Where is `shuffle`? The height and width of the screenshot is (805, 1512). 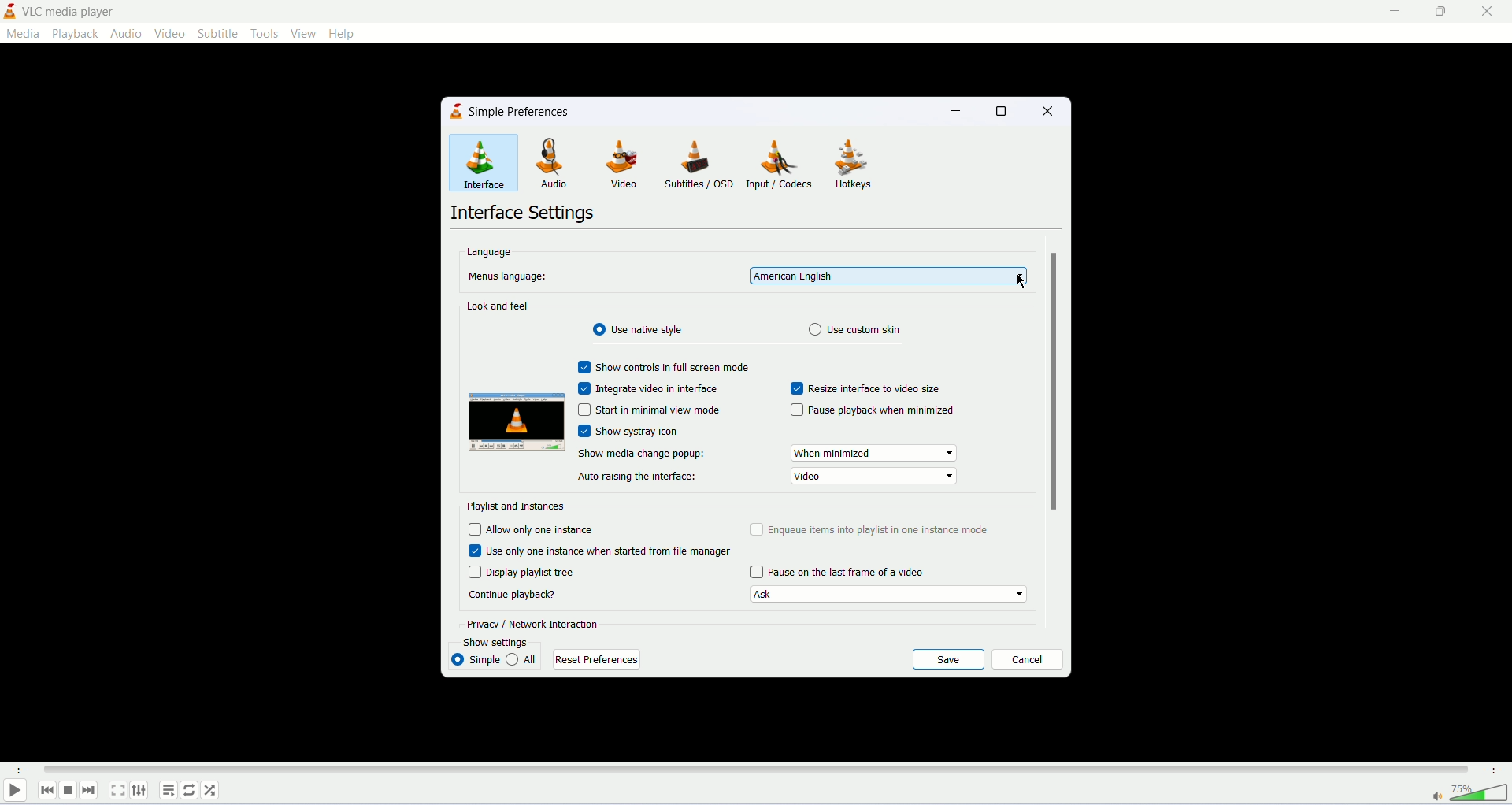
shuffle is located at coordinates (210, 789).